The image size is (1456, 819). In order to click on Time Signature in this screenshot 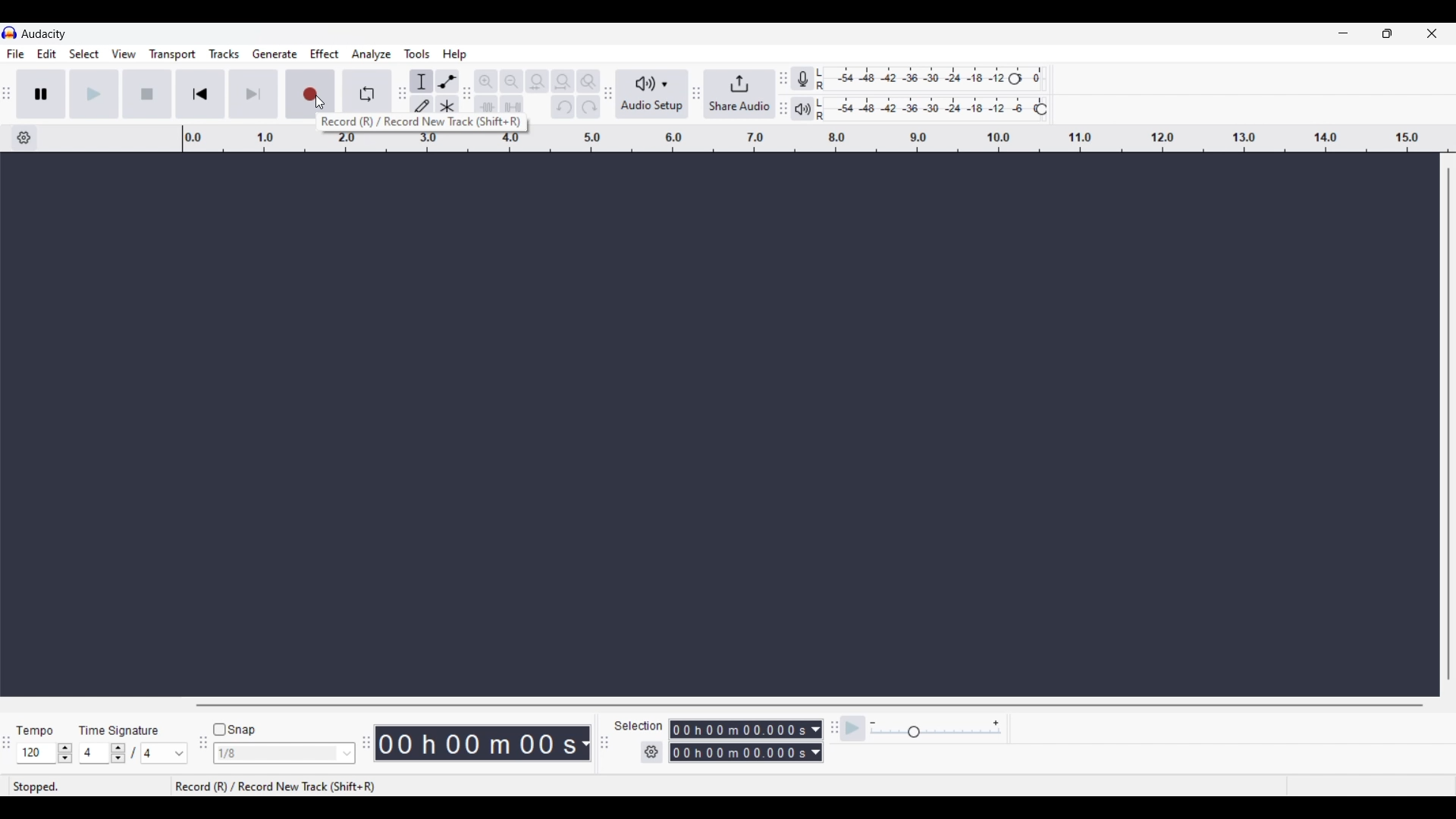, I will do `click(125, 728)`.